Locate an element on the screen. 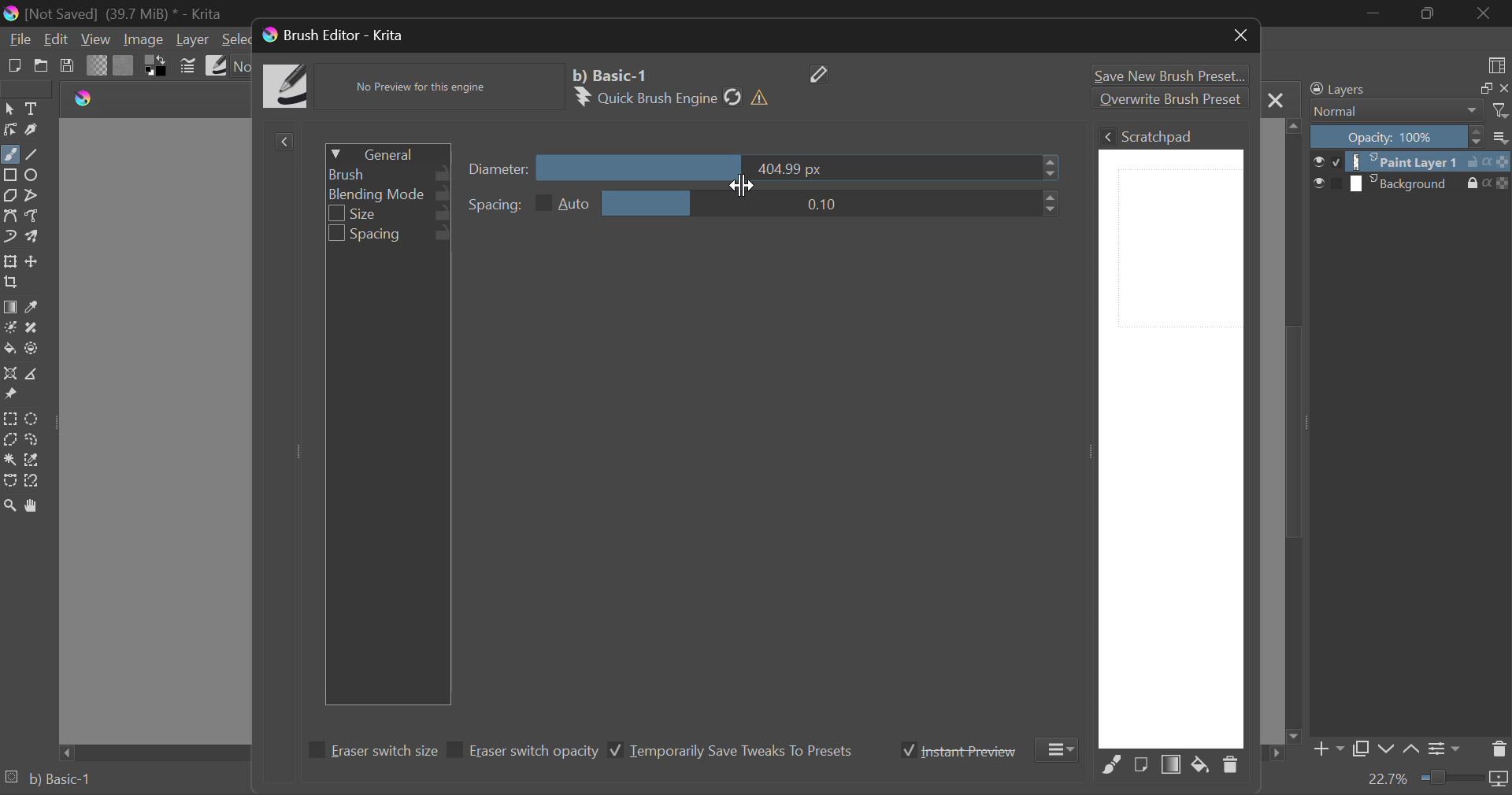  Delete is located at coordinates (1230, 768).